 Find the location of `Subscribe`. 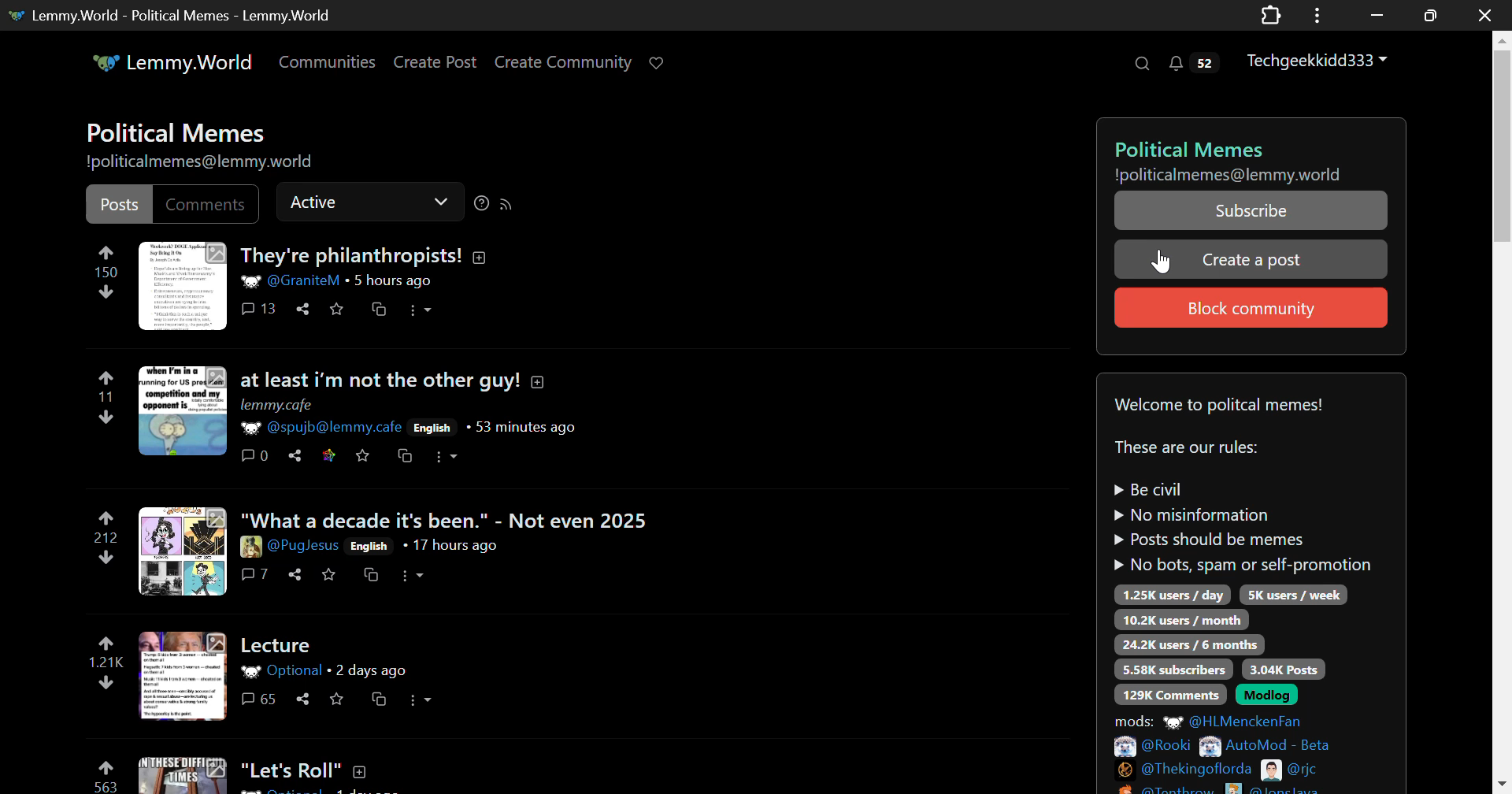

Subscribe is located at coordinates (1248, 210).